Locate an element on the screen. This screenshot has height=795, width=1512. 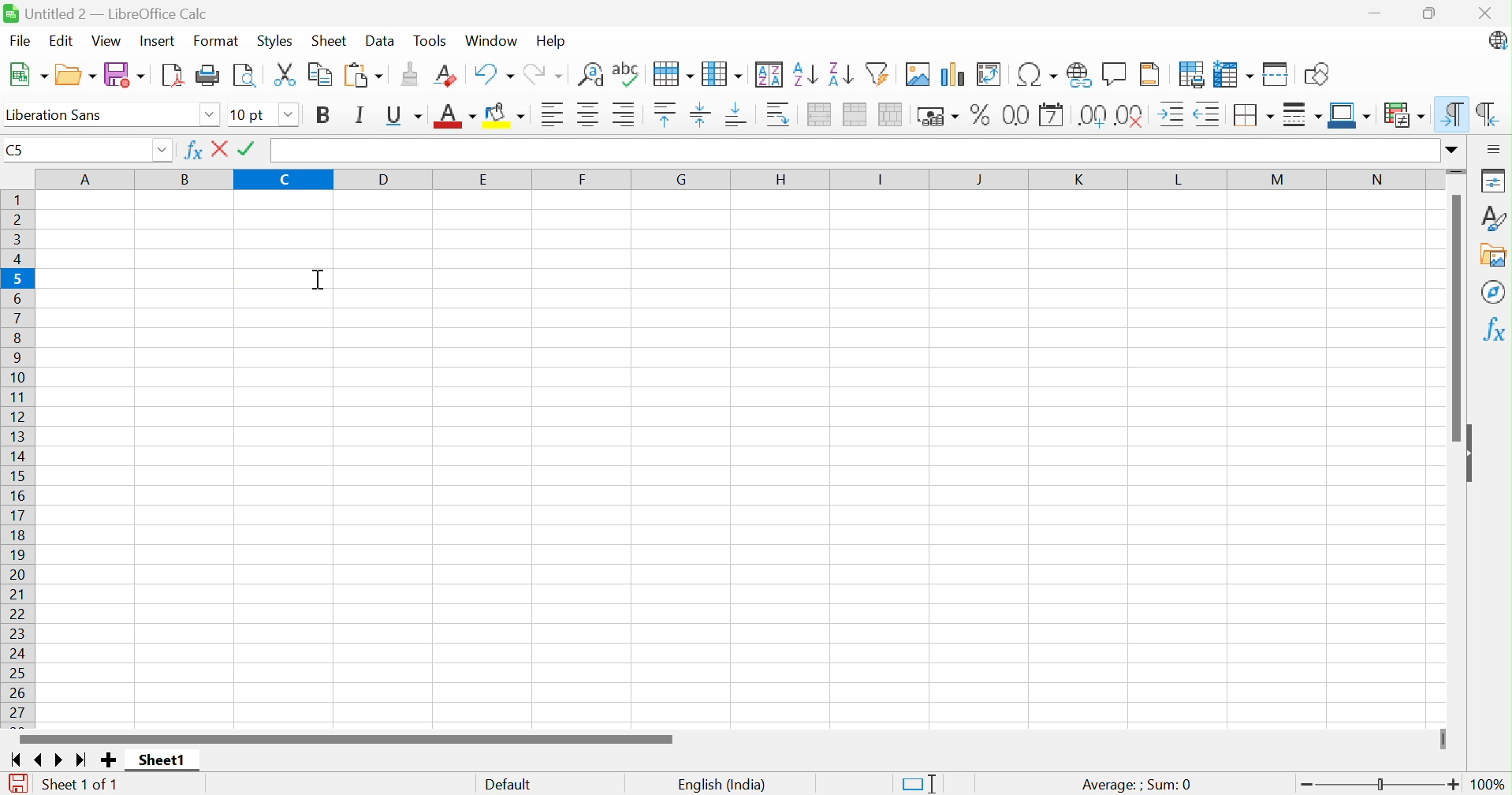
Data is located at coordinates (380, 41).